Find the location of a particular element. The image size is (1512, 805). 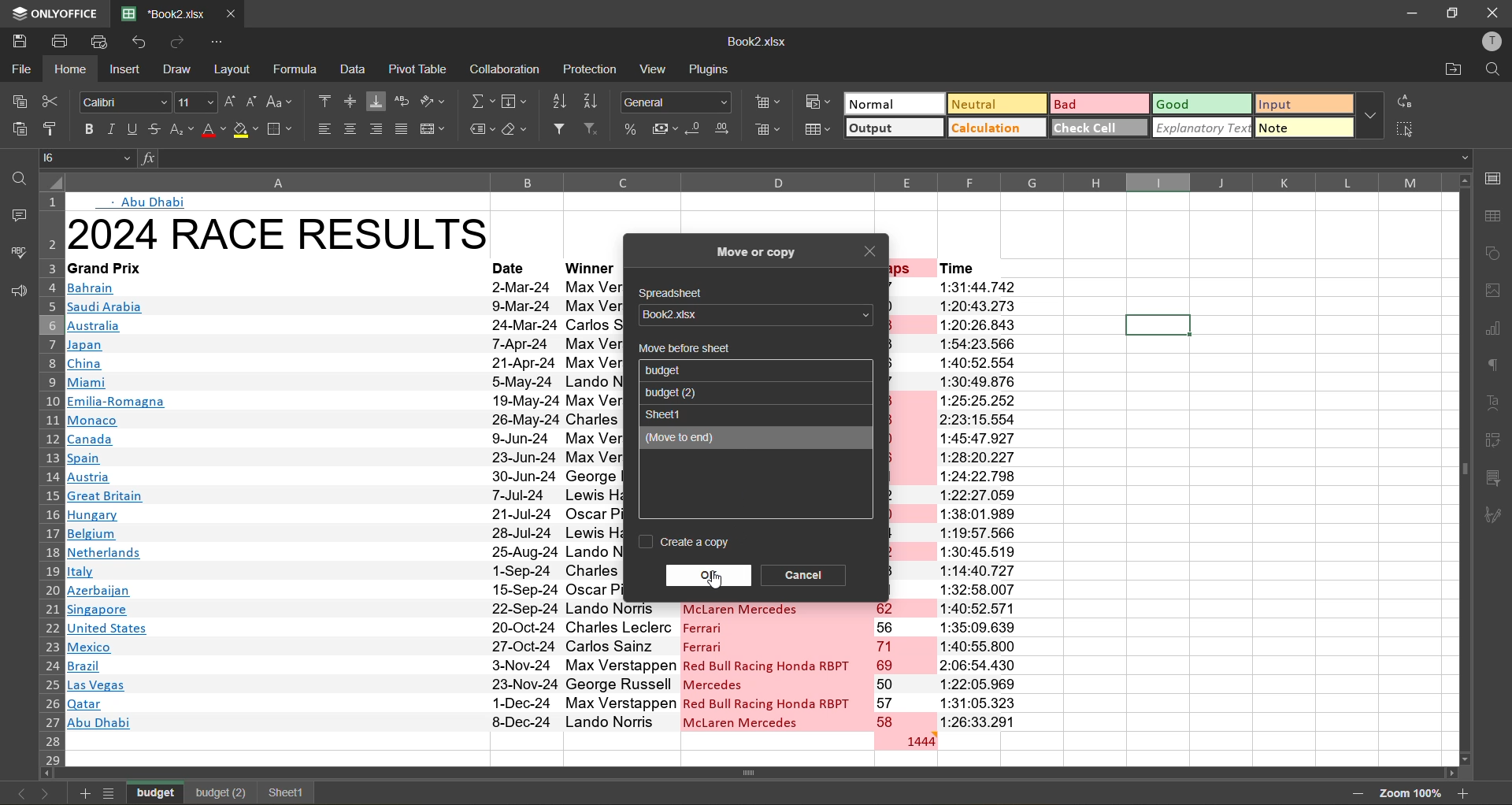

call settings is located at coordinates (1492, 178).